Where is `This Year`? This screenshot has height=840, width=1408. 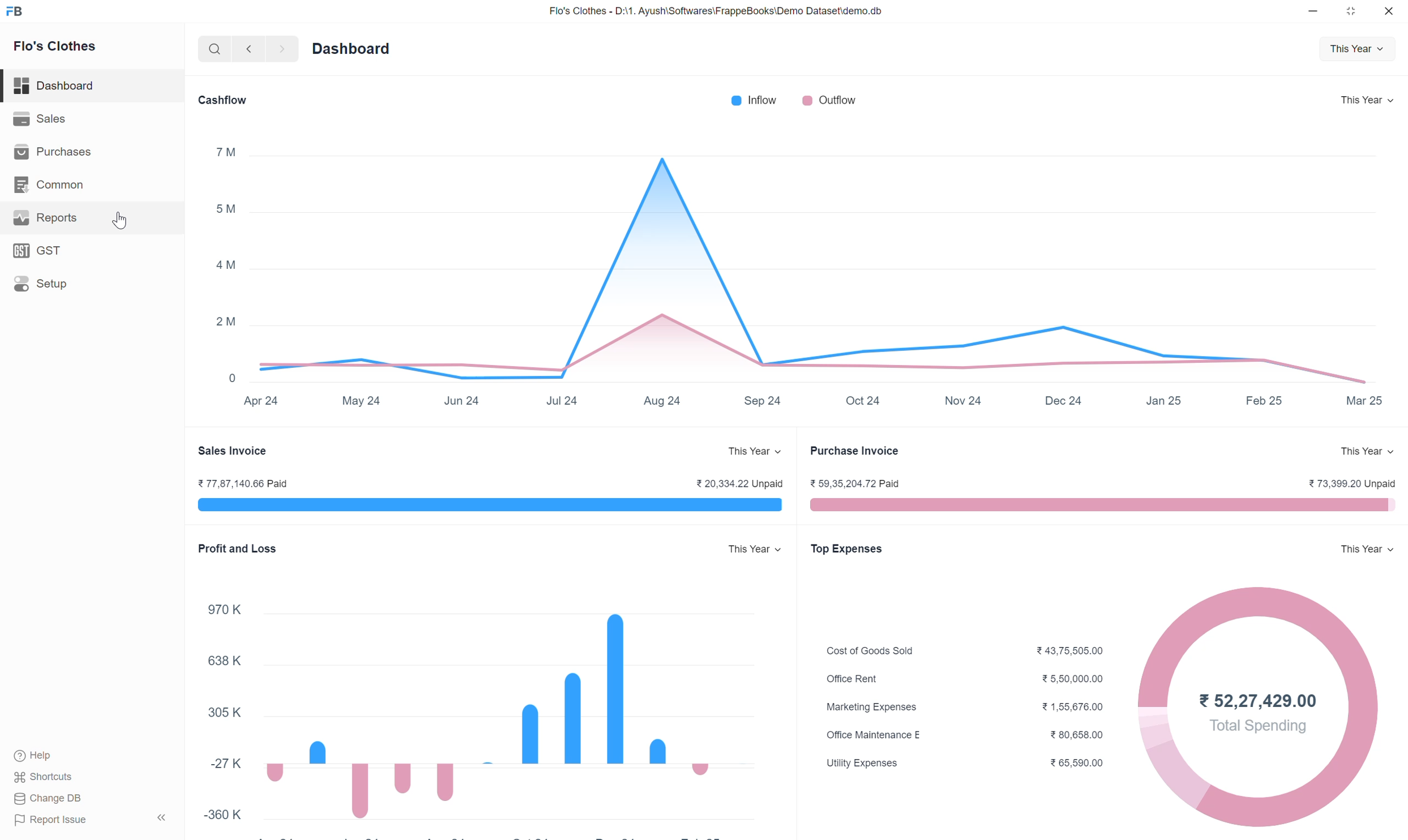
This Year is located at coordinates (746, 451).